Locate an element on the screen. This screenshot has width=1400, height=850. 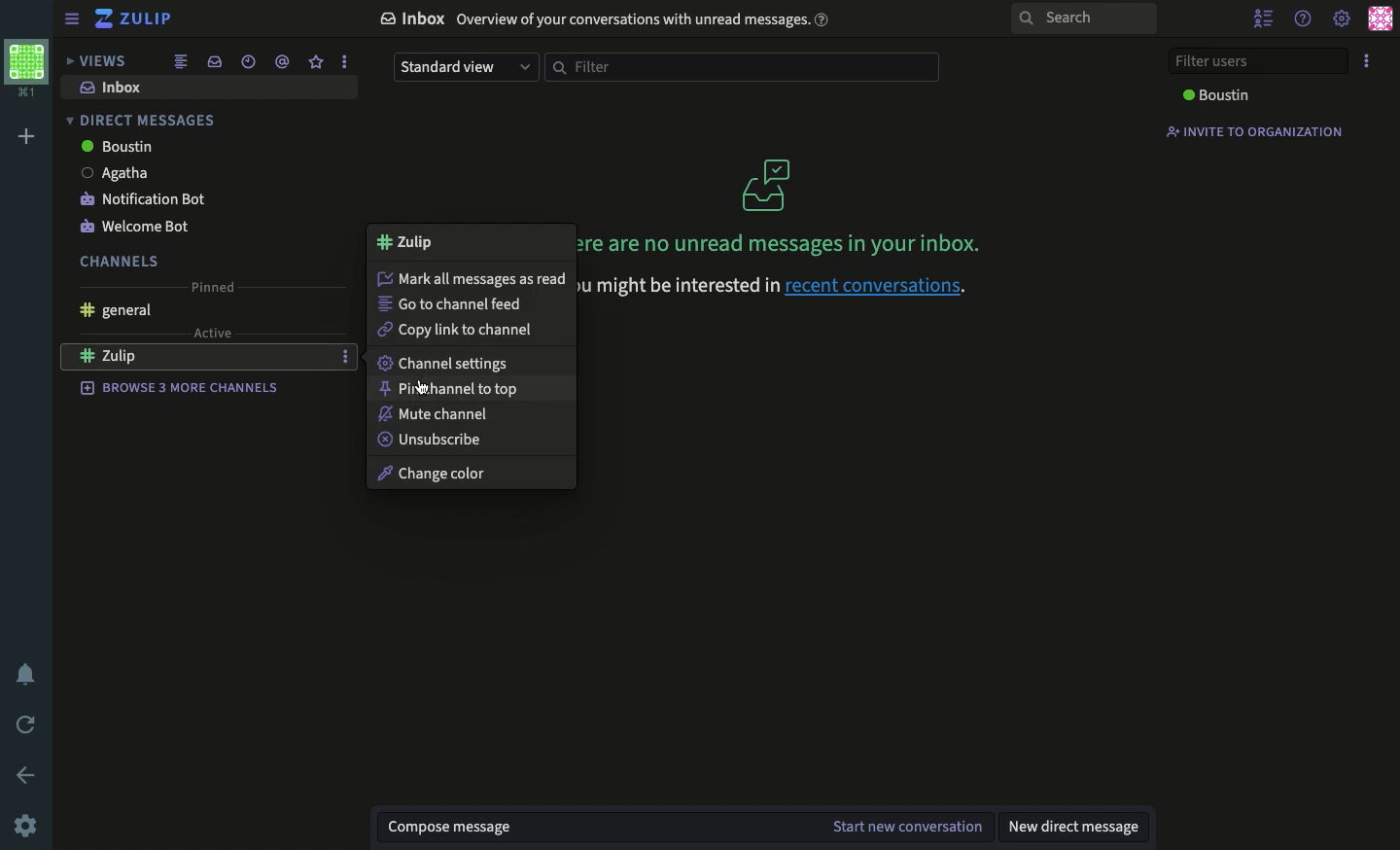
search is located at coordinates (1084, 19).